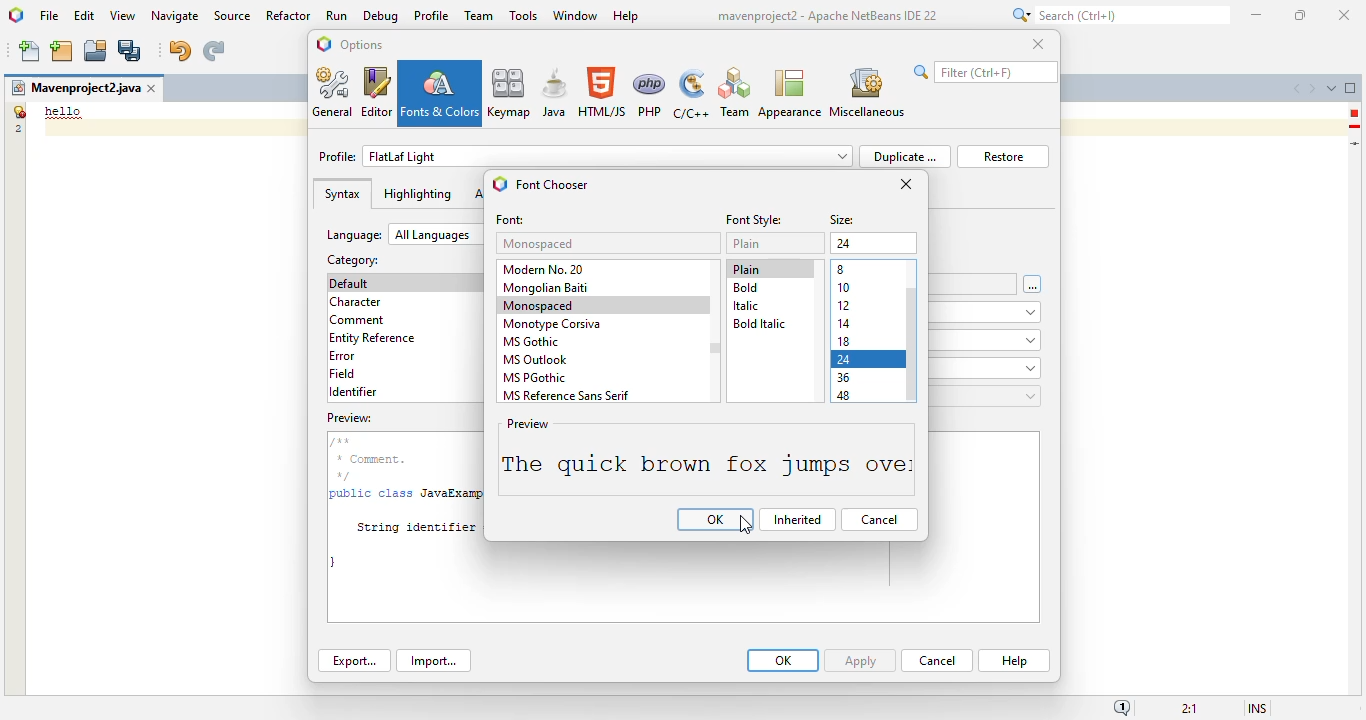 The height and width of the screenshot is (720, 1366). Describe the element at coordinates (553, 185) in the screenshot. I see `font chooser` at that location.